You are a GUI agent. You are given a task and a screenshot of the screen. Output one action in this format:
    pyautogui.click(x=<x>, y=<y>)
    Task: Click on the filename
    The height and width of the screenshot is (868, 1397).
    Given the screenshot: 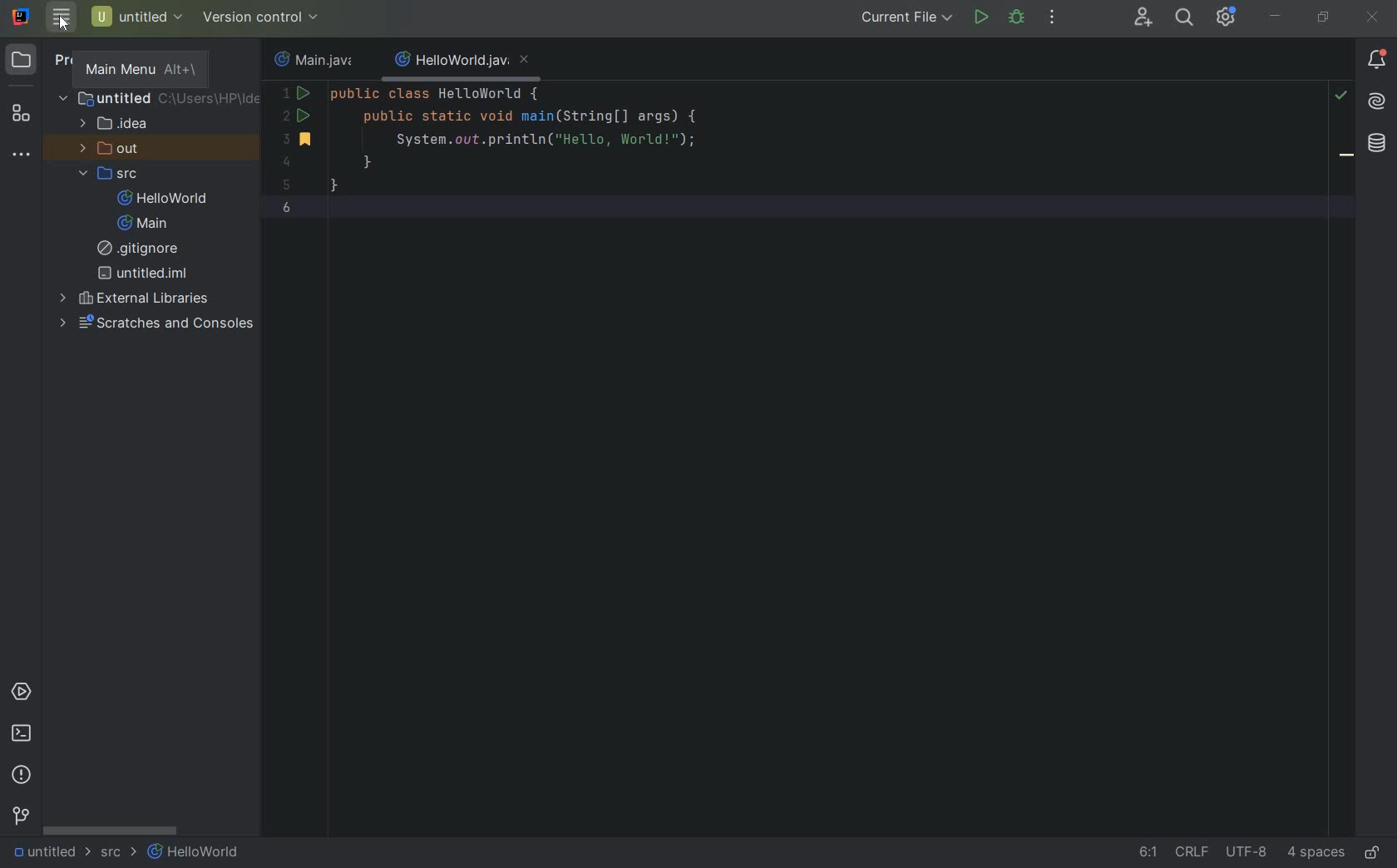 What is the action you would take?
    pyautogui.click(x=461, y=62)
    